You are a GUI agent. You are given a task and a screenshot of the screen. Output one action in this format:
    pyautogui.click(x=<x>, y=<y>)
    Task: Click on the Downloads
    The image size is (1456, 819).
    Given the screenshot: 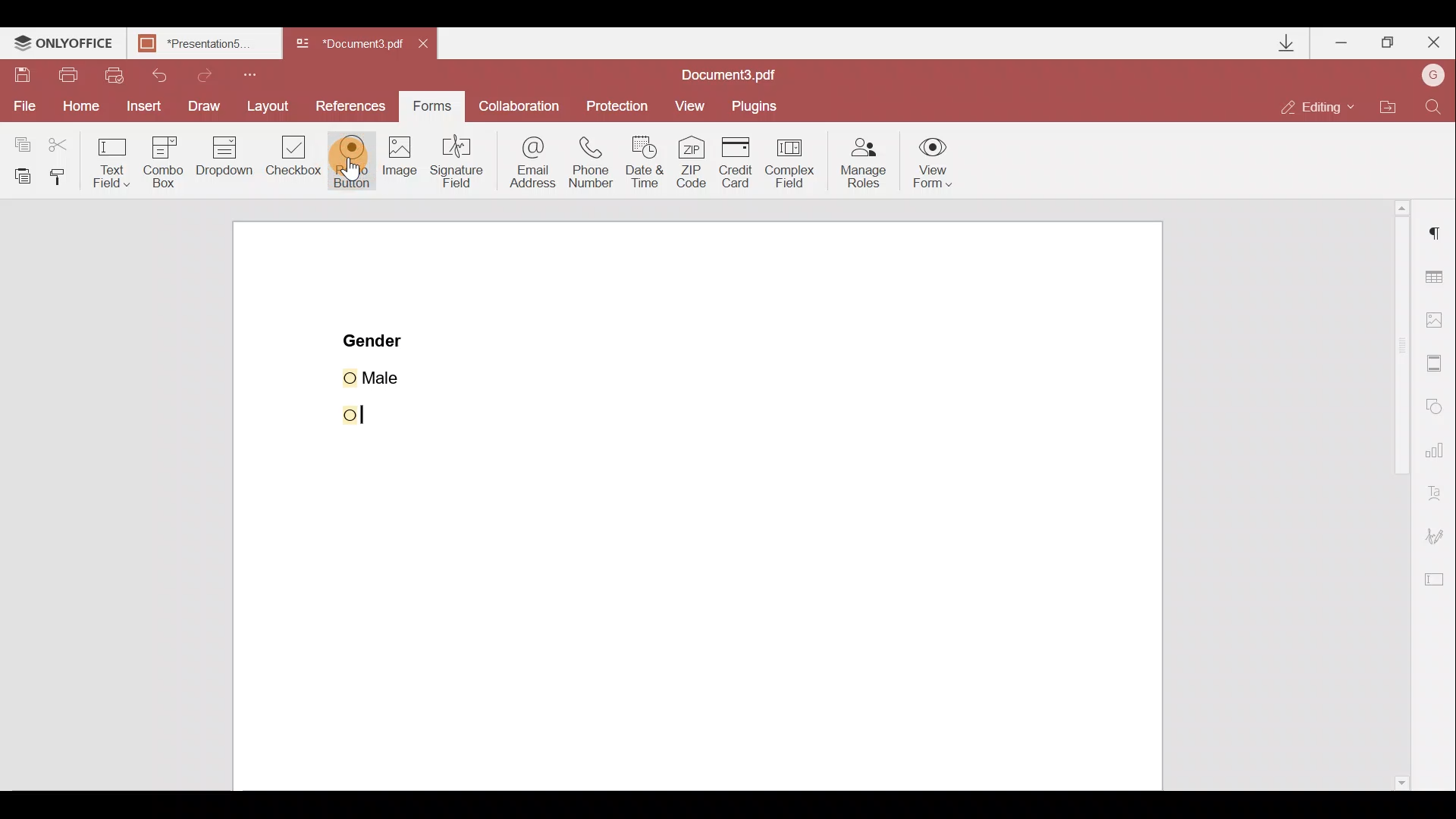 What is the action you would take?
    pyautogui.click(x=1278, y=41)
    